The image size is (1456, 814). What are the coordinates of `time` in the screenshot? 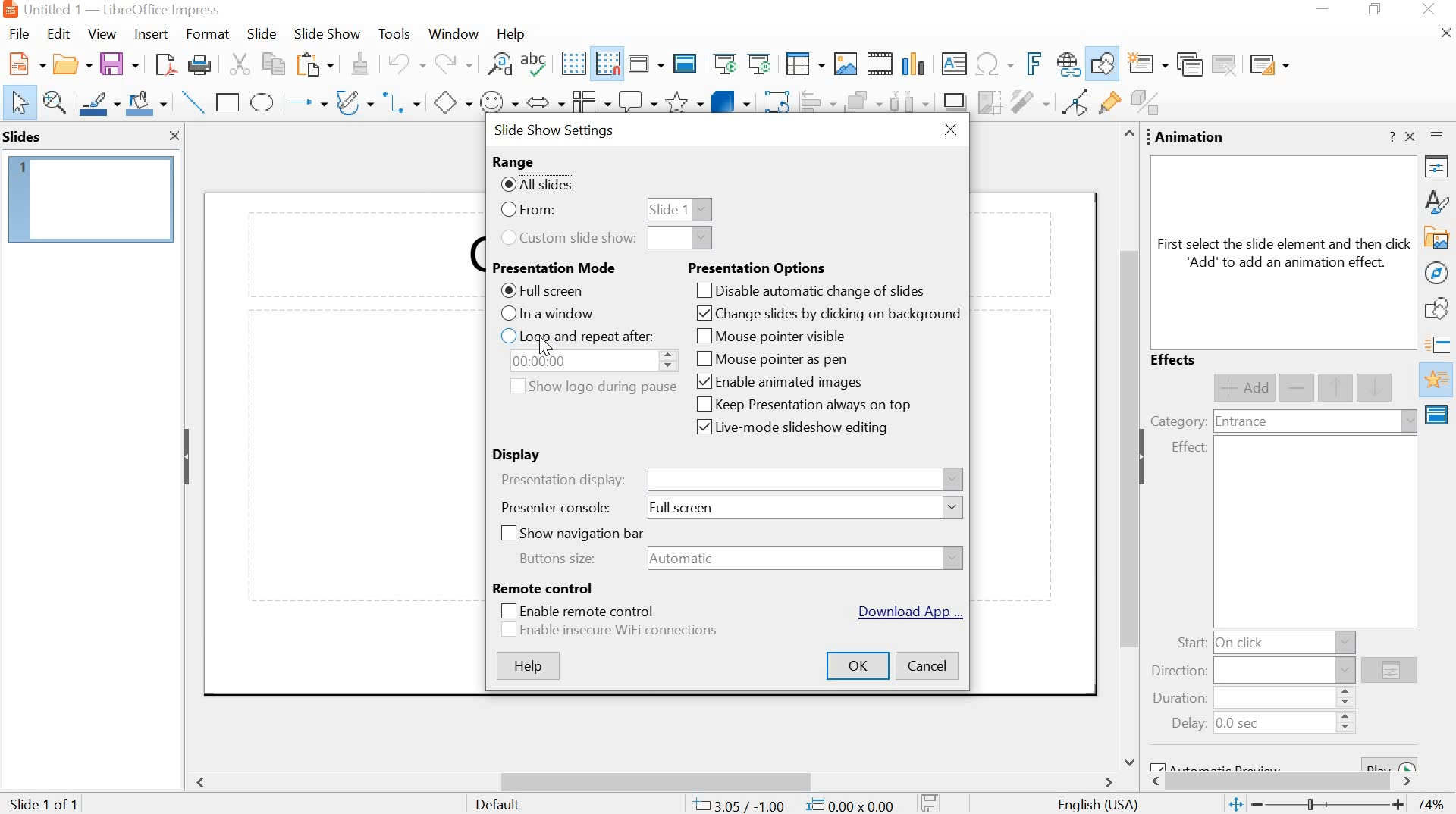 It's located at (549, 362).